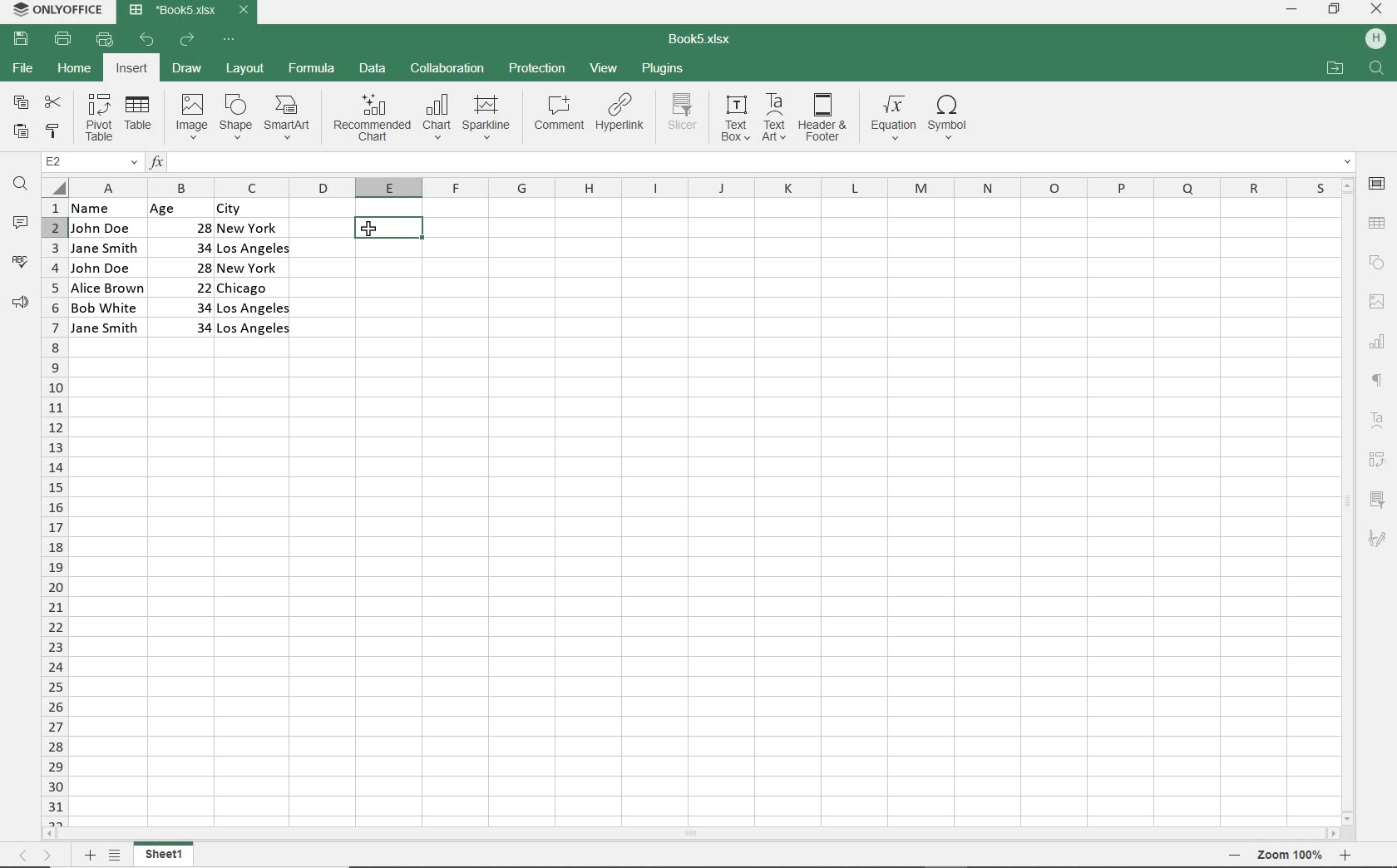 The height and width of the screenshot is (868, 1397). Describe the element at coordinates (310, 68) in the screenshot. I see `FORMULA` at that location.